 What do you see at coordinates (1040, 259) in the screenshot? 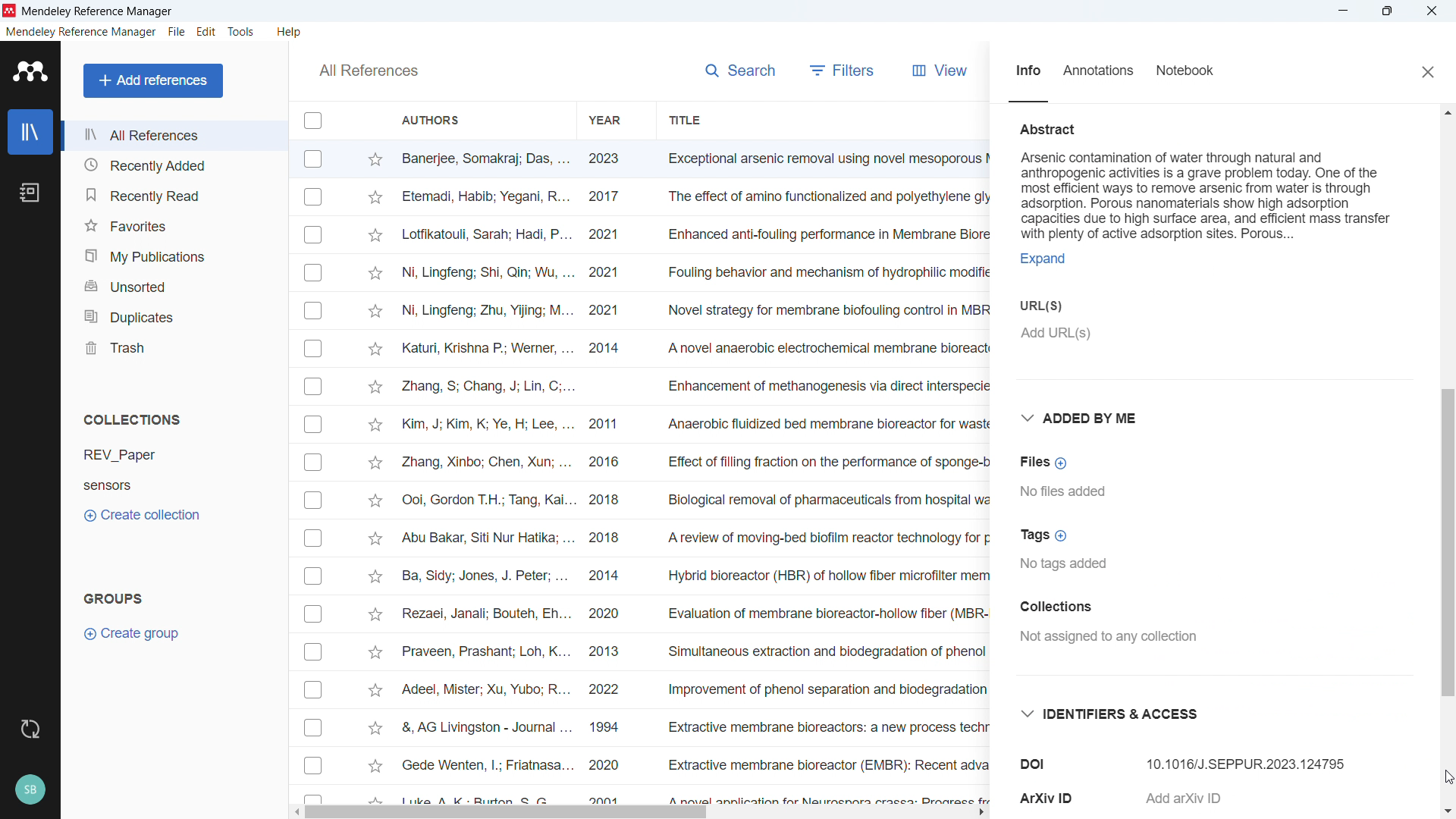
I see `expand` at bounding box center [1040, 259].